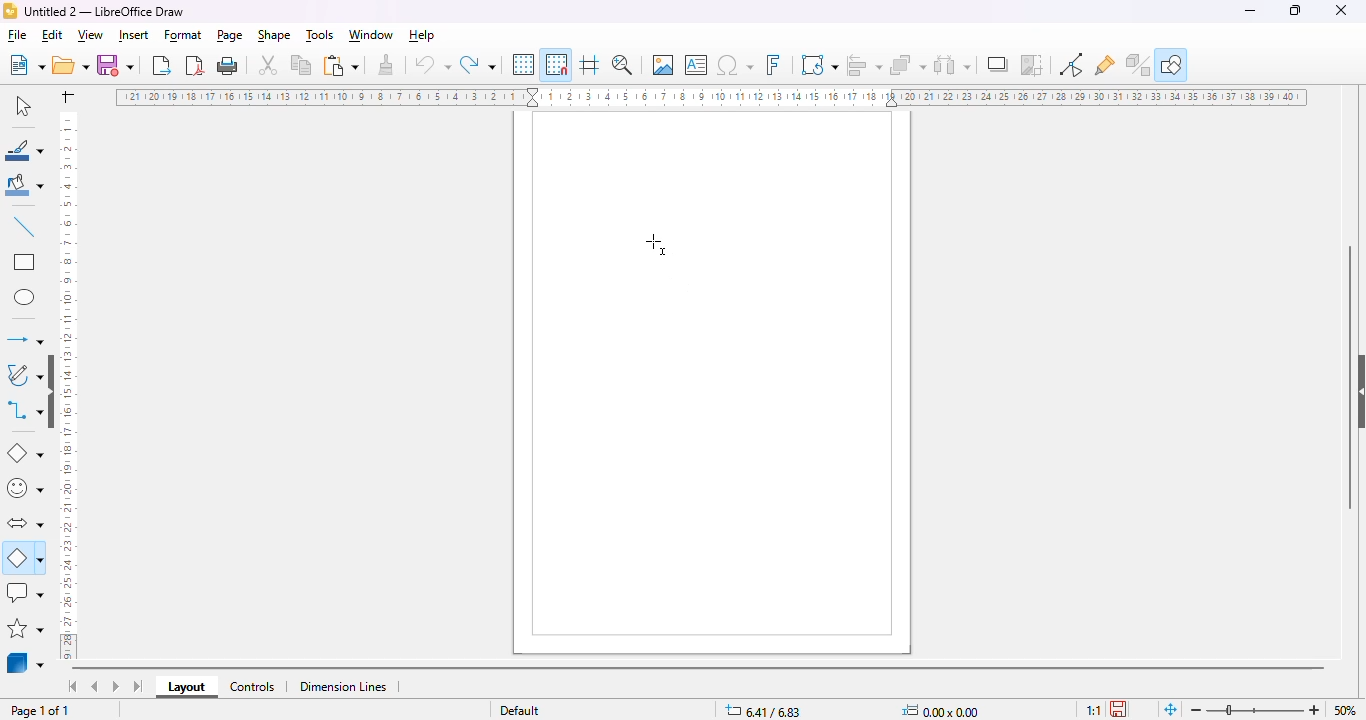  I want to click on snap to grid, so click(557, 64).